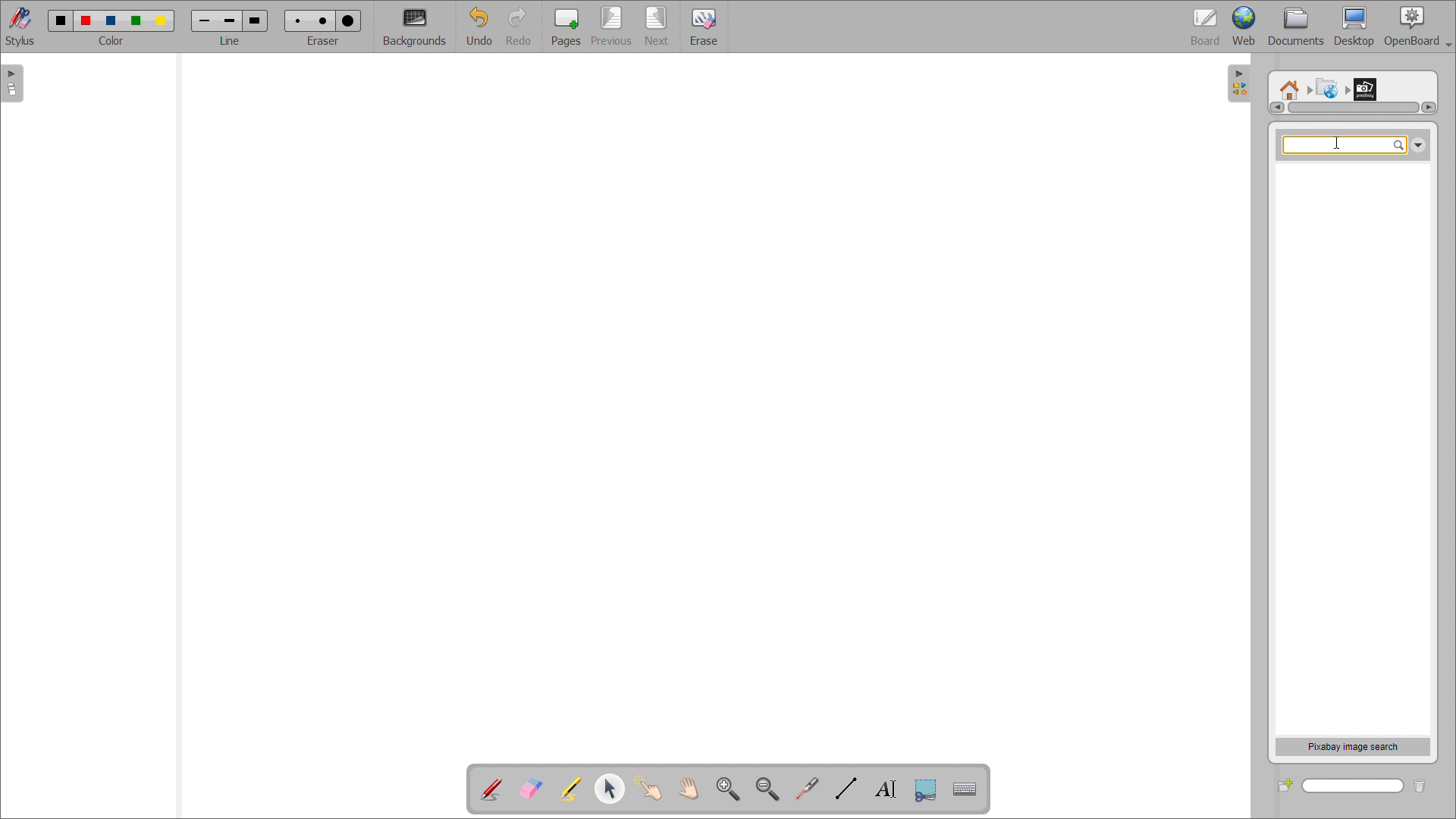 This screenshot has height=819, width=1456. I want to click on search, so click(1354, 786).